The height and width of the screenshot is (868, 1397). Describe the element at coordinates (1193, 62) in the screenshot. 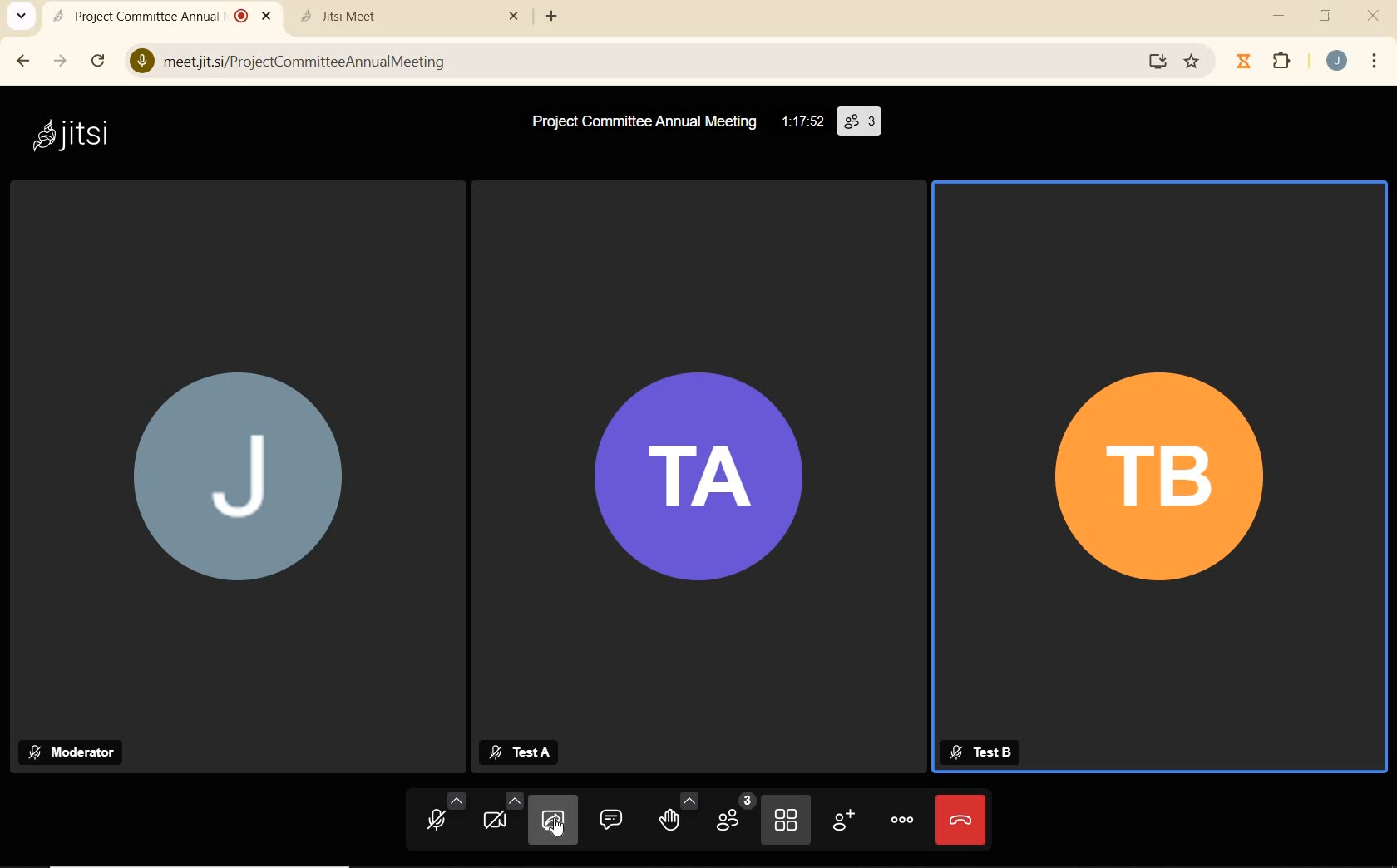

I see `bookmark` at that location.